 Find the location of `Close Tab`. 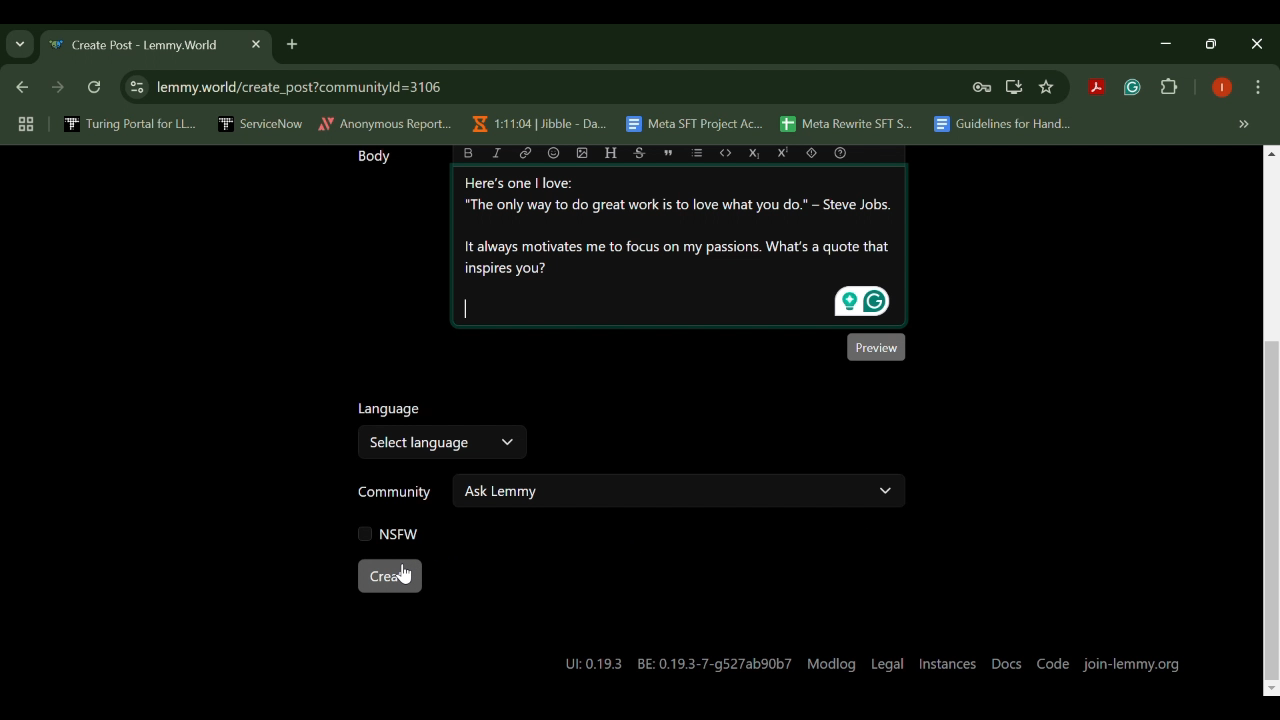

Close Tab is located at coordinates (254, 44).